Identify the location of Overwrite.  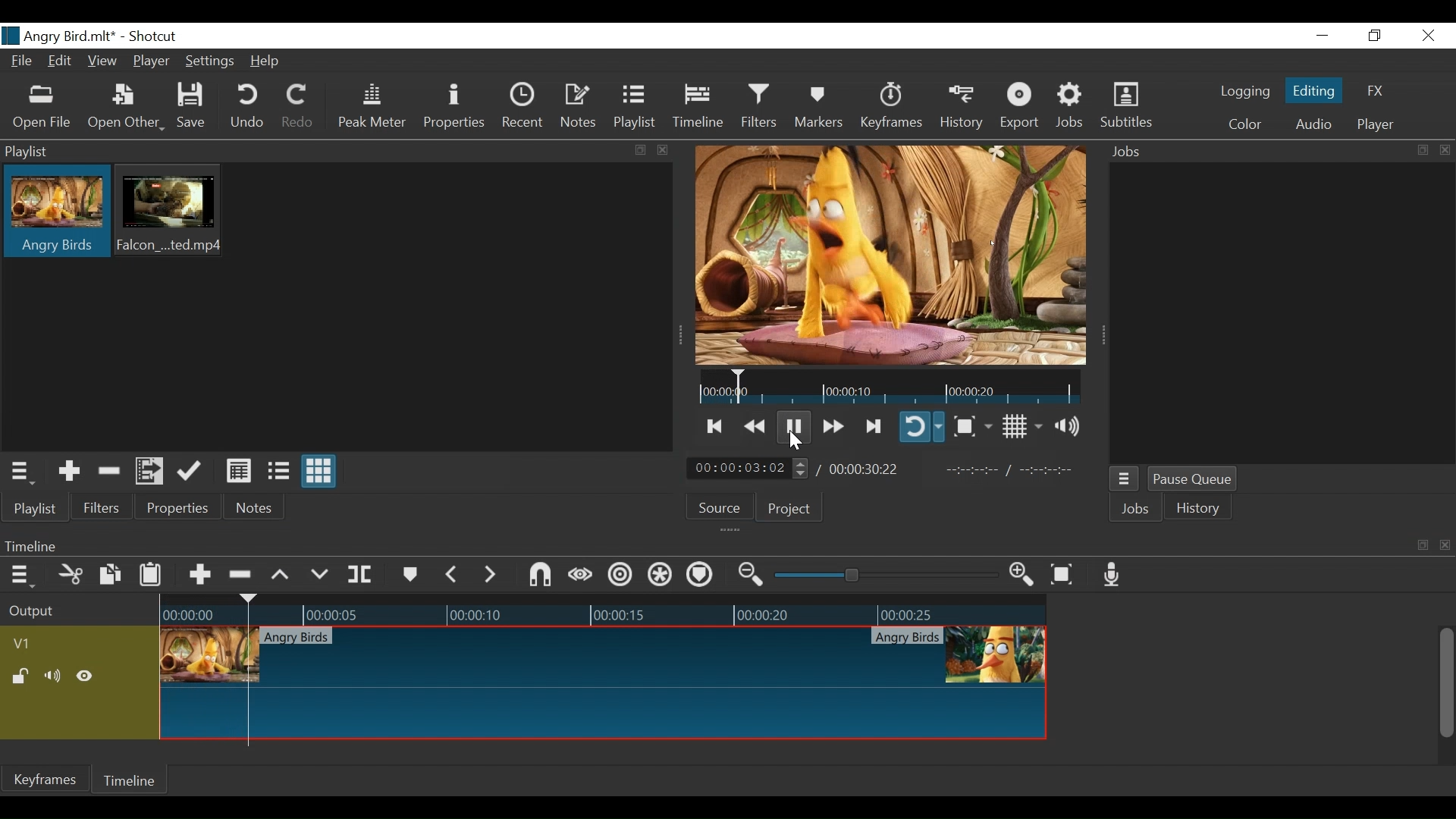
(319, 572).